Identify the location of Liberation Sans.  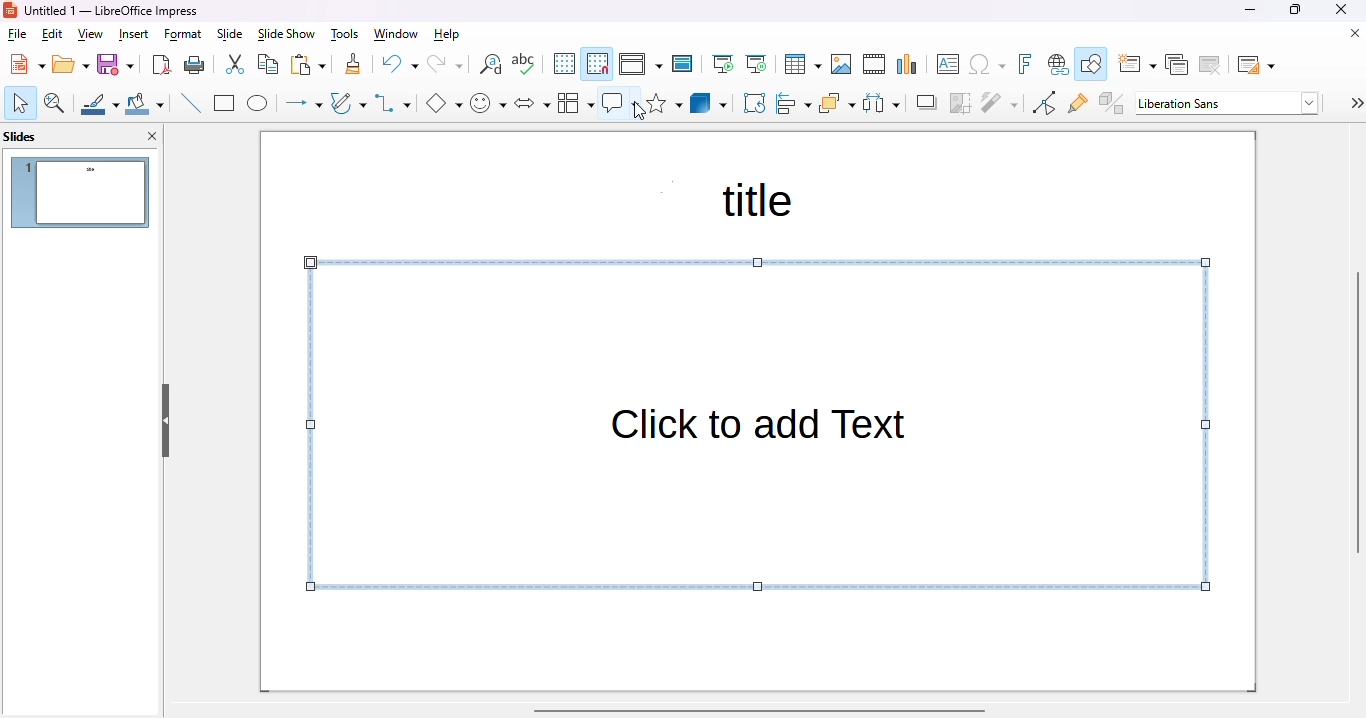
(1228, 103).